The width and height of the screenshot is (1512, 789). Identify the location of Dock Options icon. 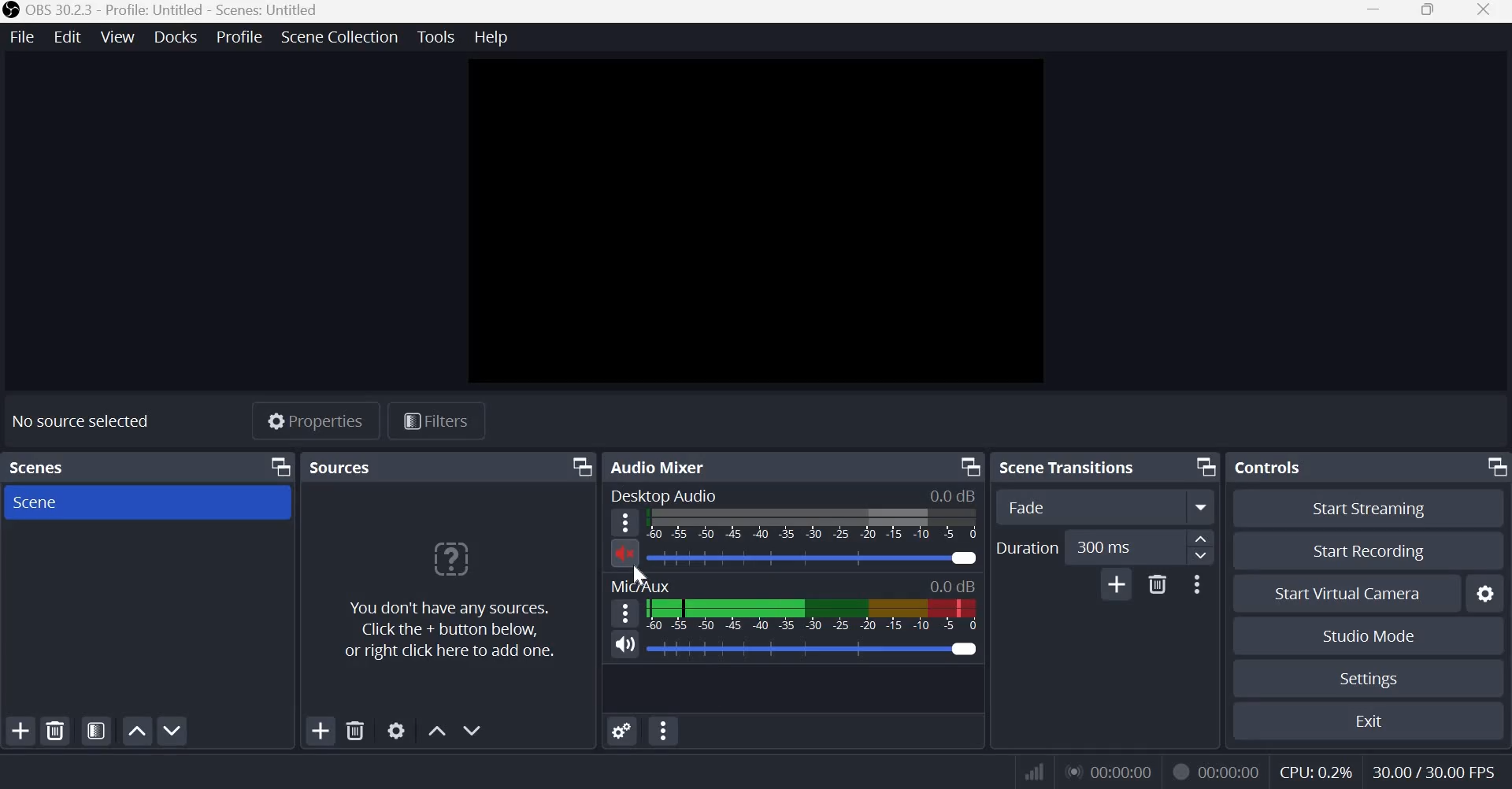
(967, 467).